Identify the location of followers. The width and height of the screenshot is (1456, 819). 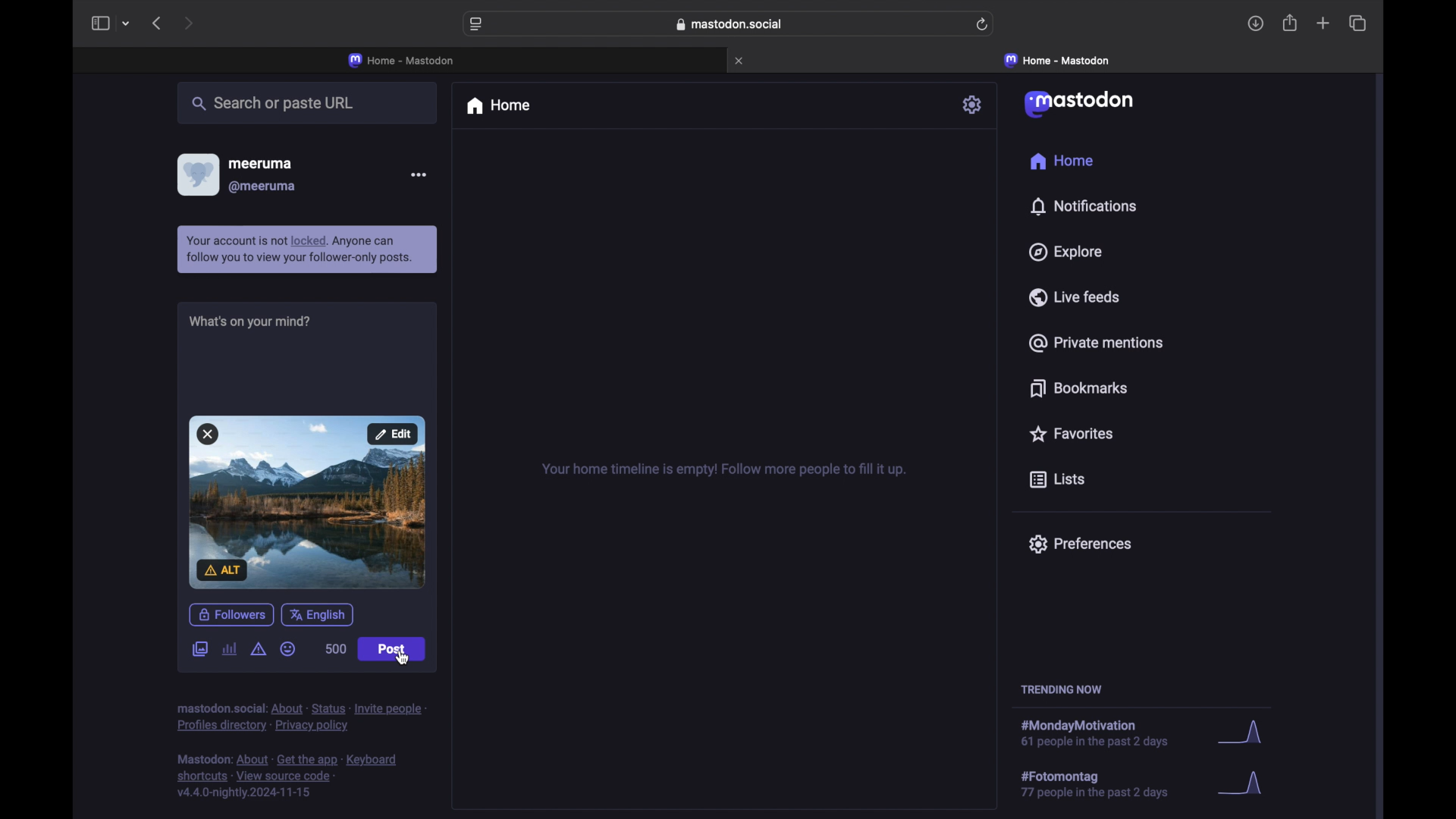
(231, 612).